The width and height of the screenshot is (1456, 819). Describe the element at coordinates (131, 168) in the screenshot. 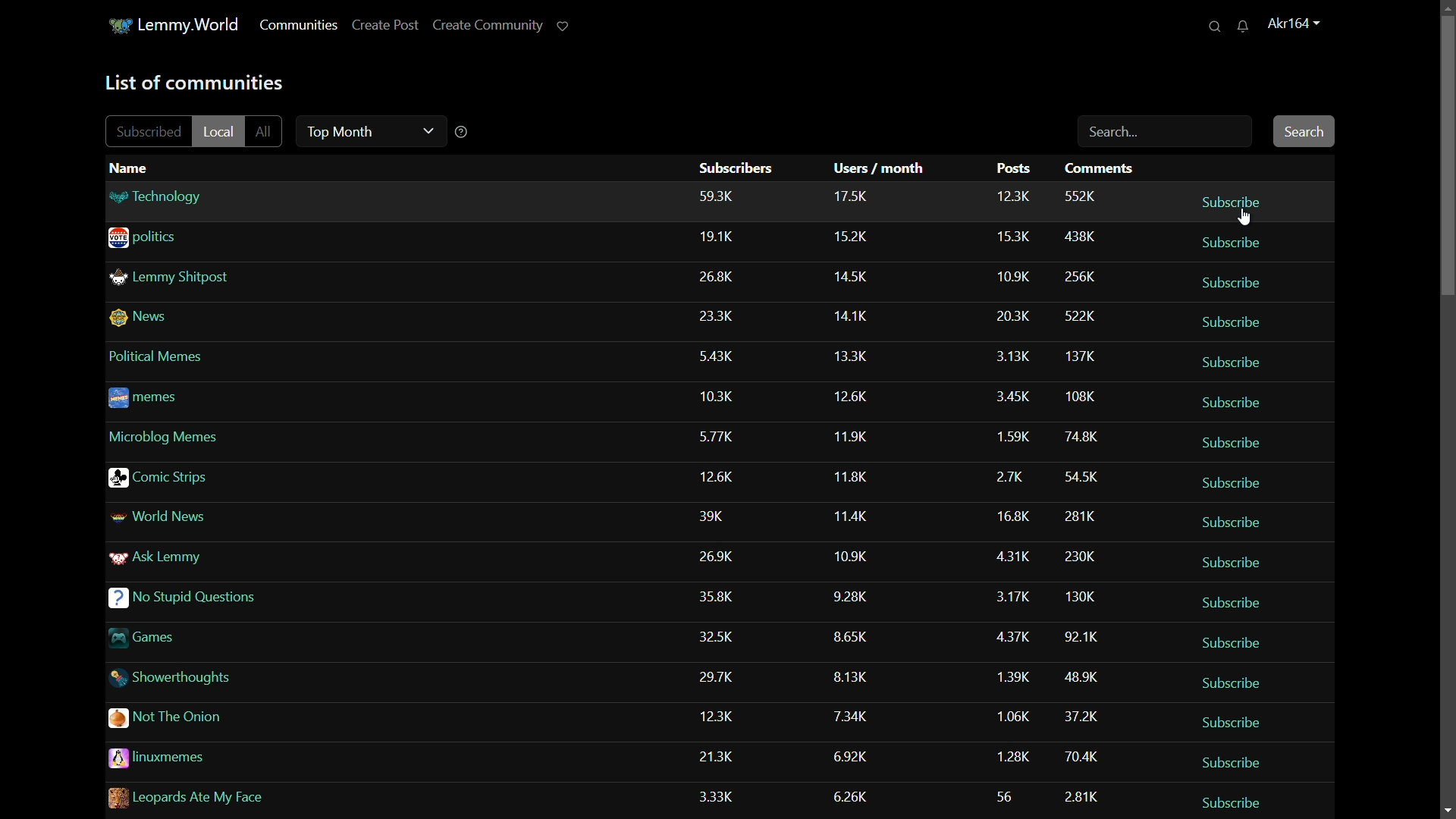

I see `name` at that location.